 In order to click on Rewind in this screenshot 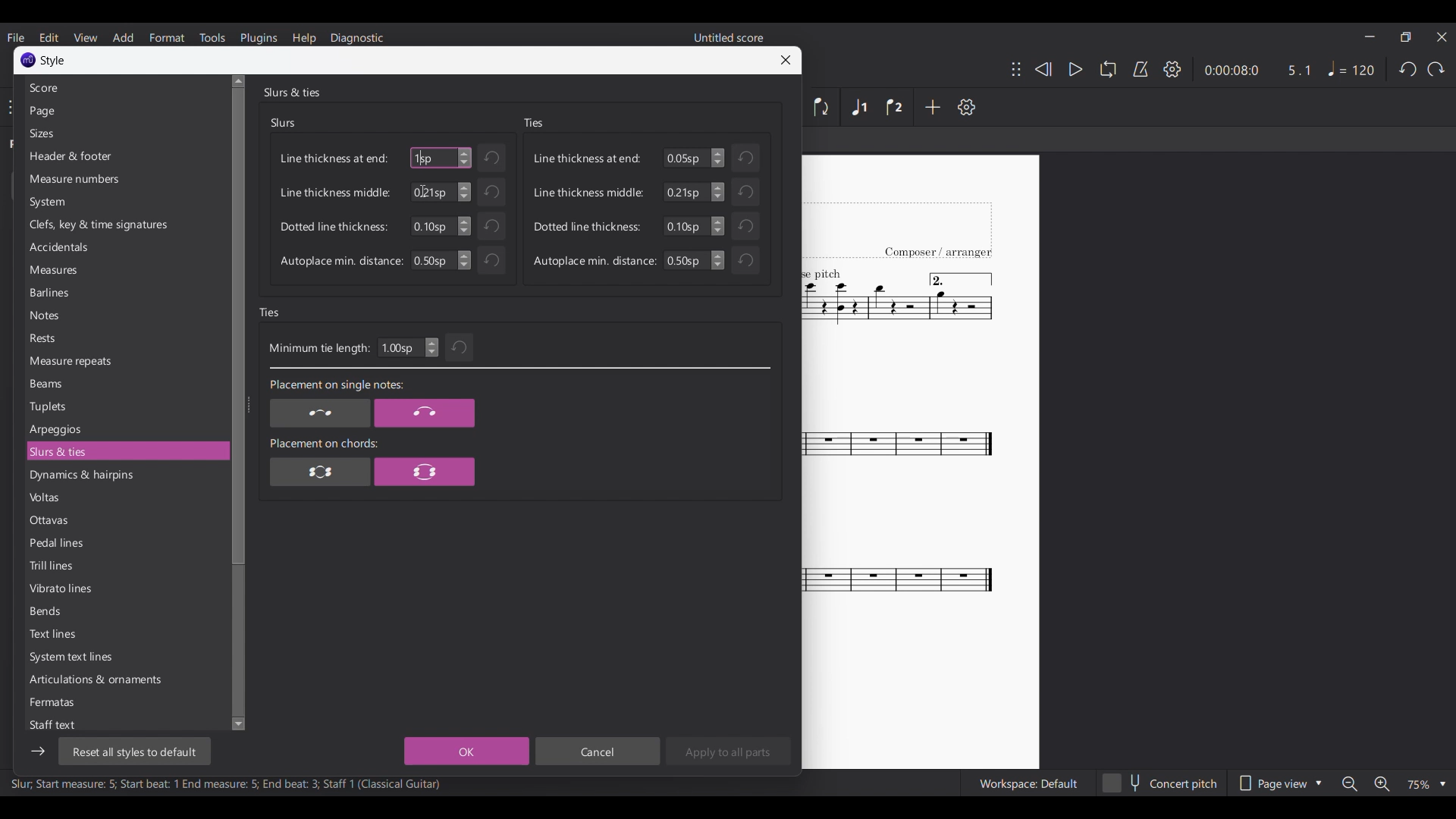, I will do `click(1043, 70)`.